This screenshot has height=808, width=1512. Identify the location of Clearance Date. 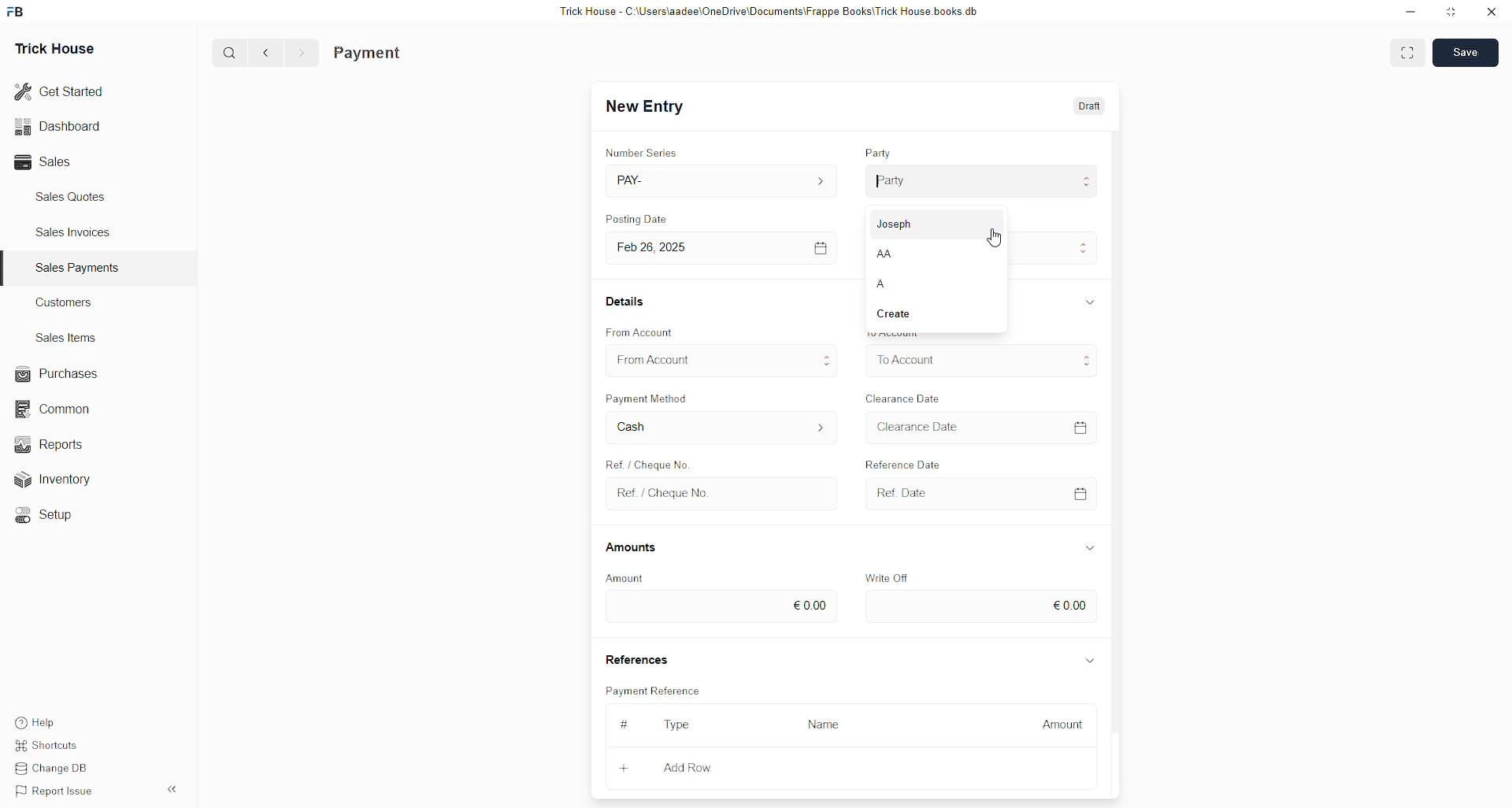
(904, 398).